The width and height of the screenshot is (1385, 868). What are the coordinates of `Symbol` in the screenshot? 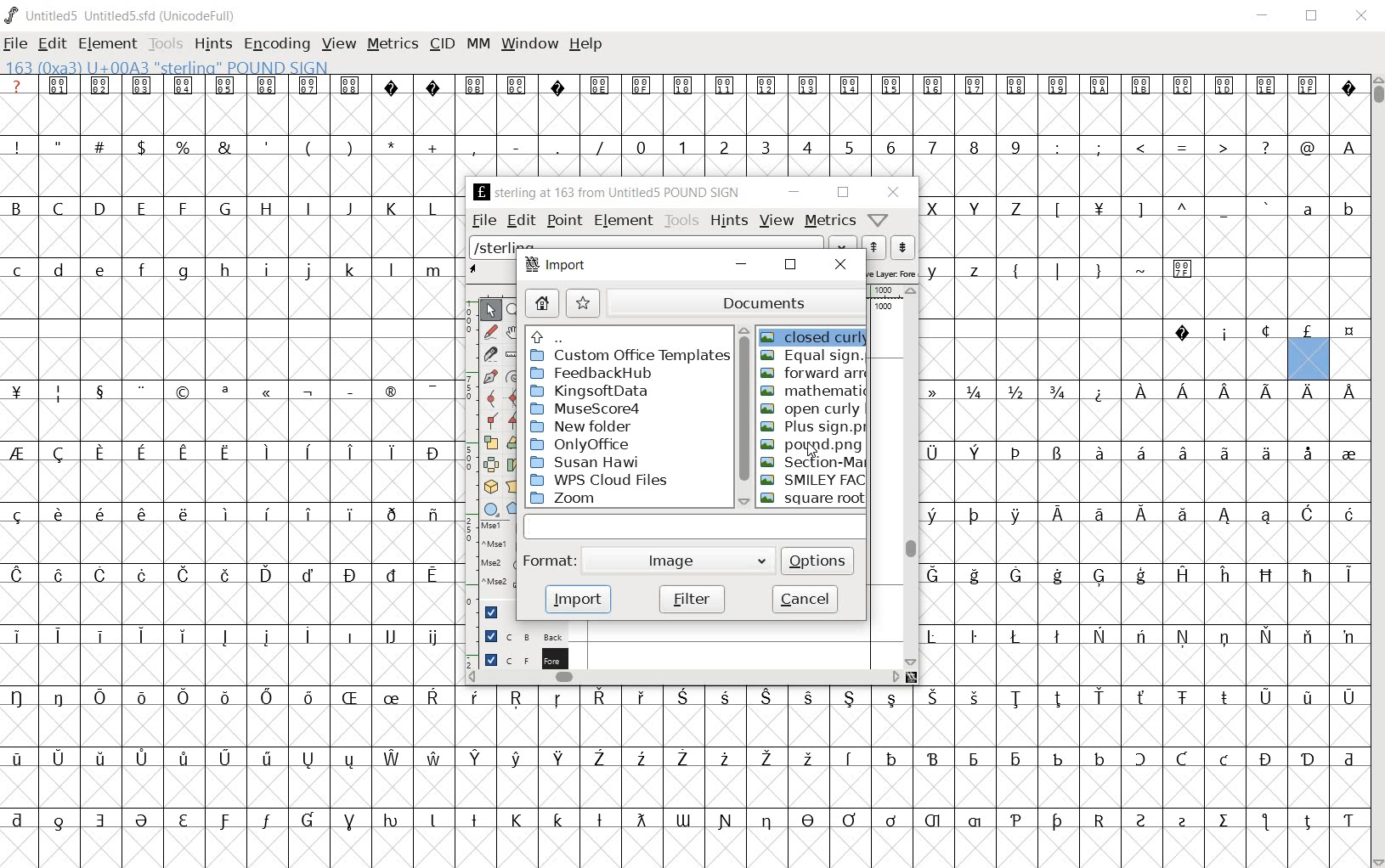 It's located at (391, 637).